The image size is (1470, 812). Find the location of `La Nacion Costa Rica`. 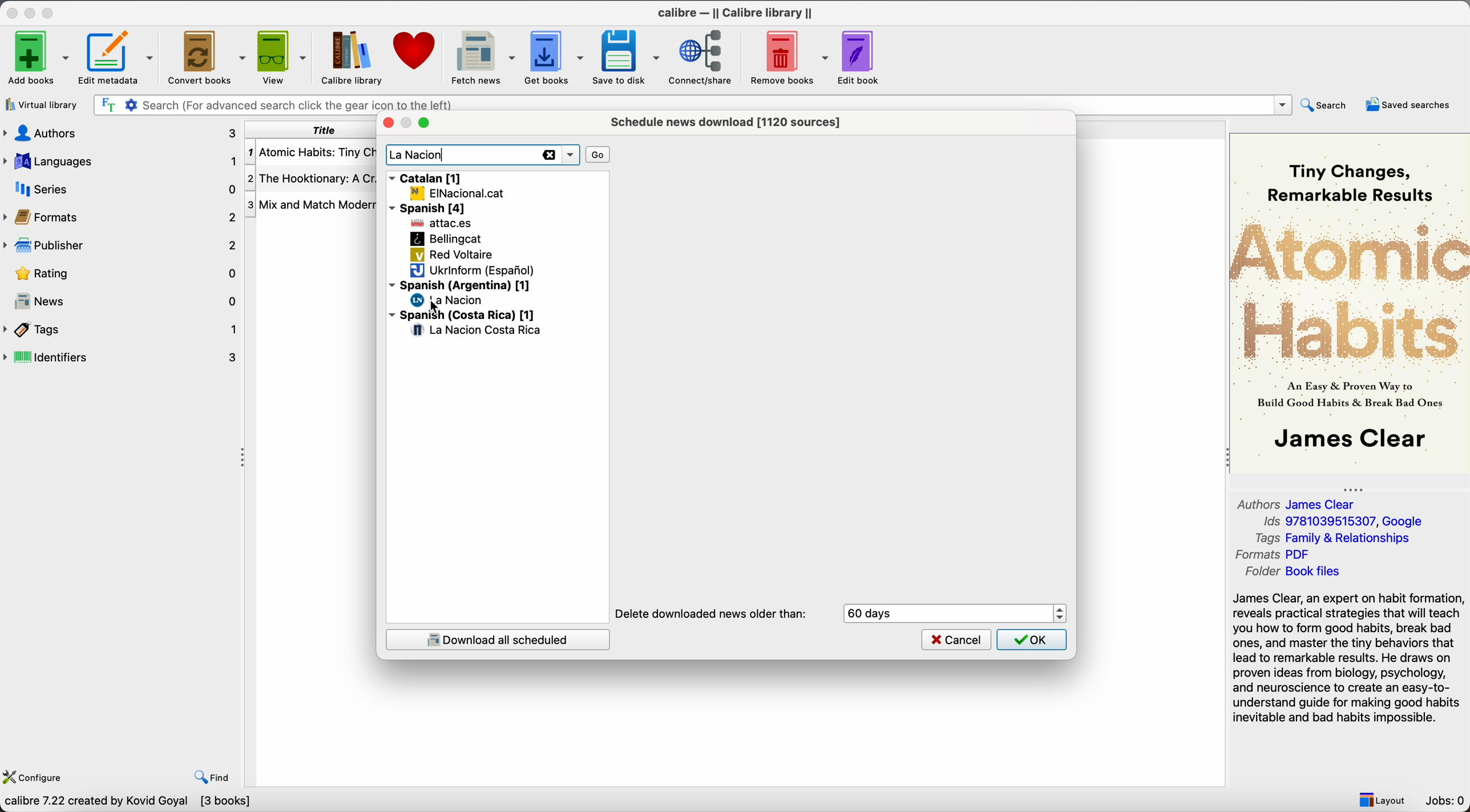

La Nacion Costa Rica is located at coordinates (478, 331).